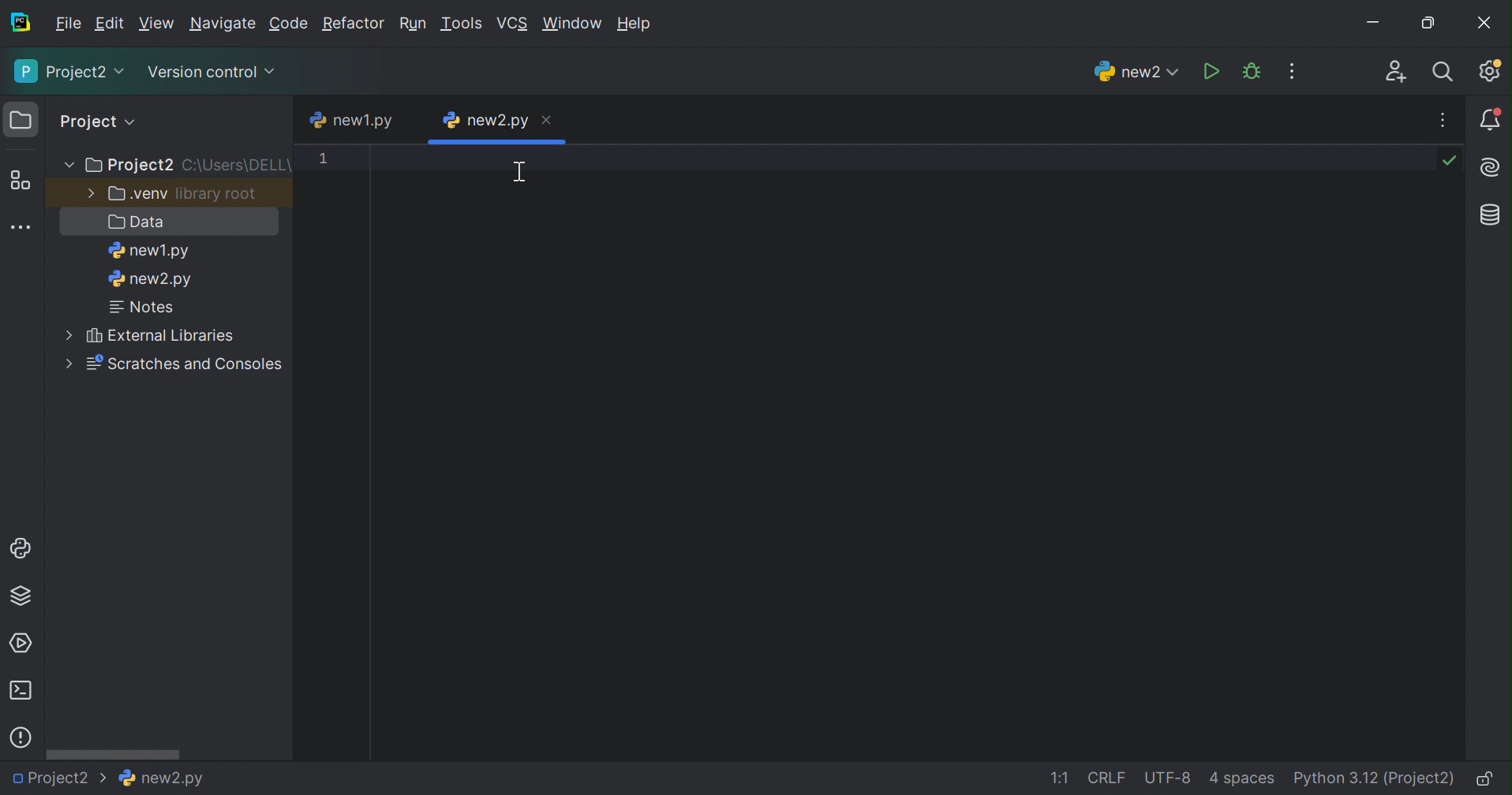  Describe the element at coordinates (1134, 72) in the screenshot. I see `new2` at that location.